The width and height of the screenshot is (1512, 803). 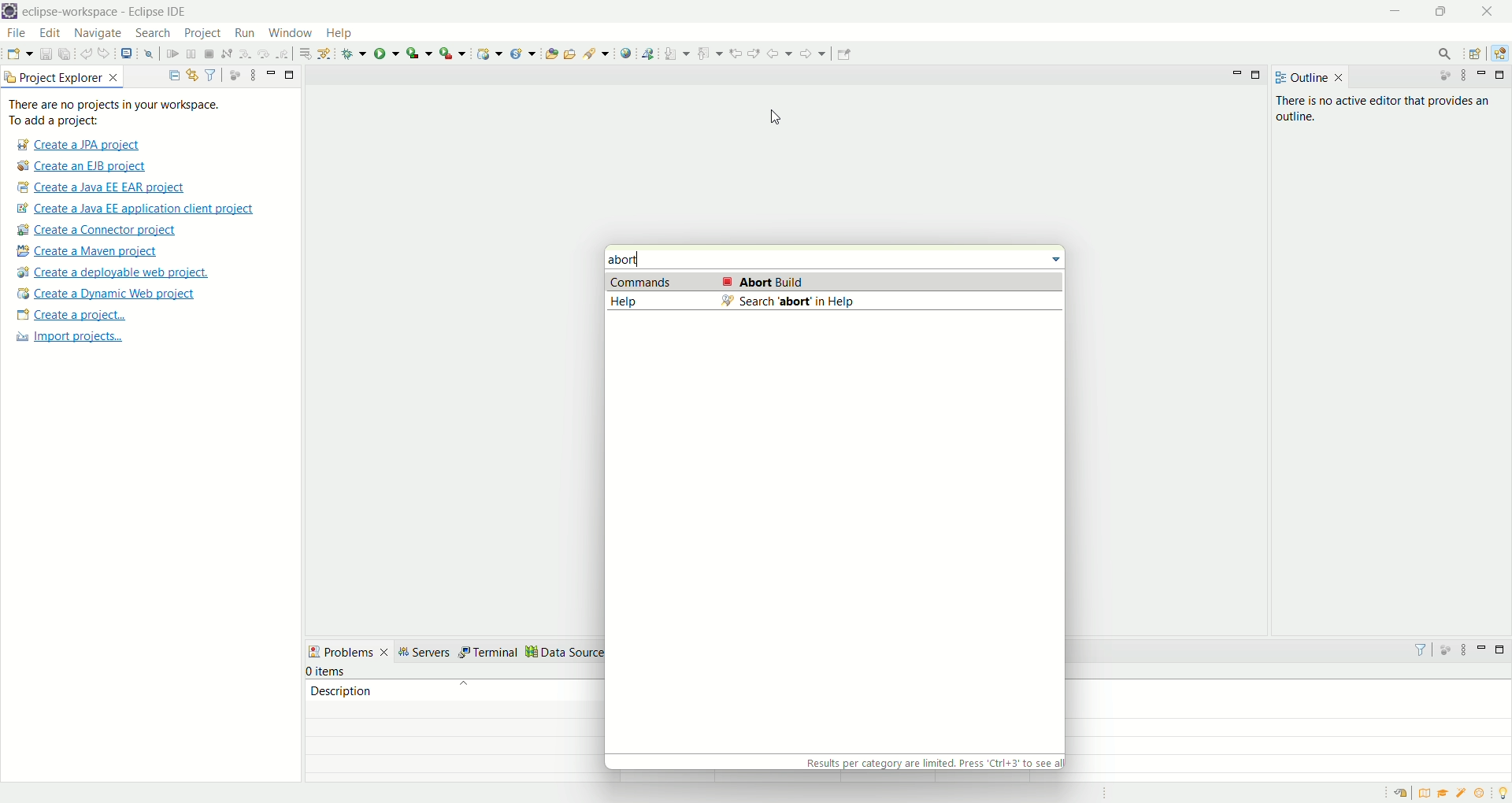 What do you see at coordinates (1483, 794) in the screenshot?
I see `what's new` at bounding box center [1483, 794].